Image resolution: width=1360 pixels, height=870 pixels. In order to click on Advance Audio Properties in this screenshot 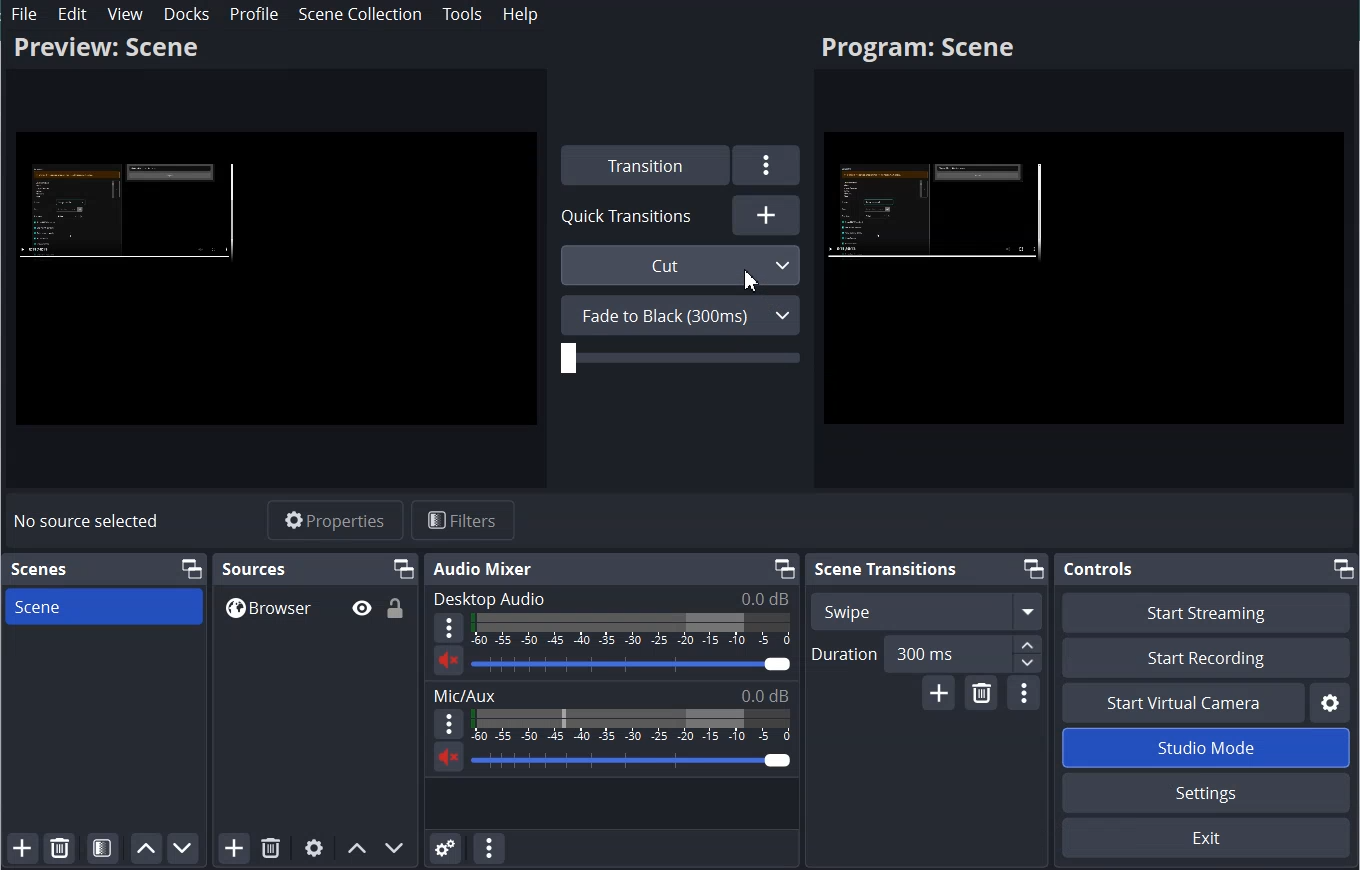, I will do `click(445, 848)`.